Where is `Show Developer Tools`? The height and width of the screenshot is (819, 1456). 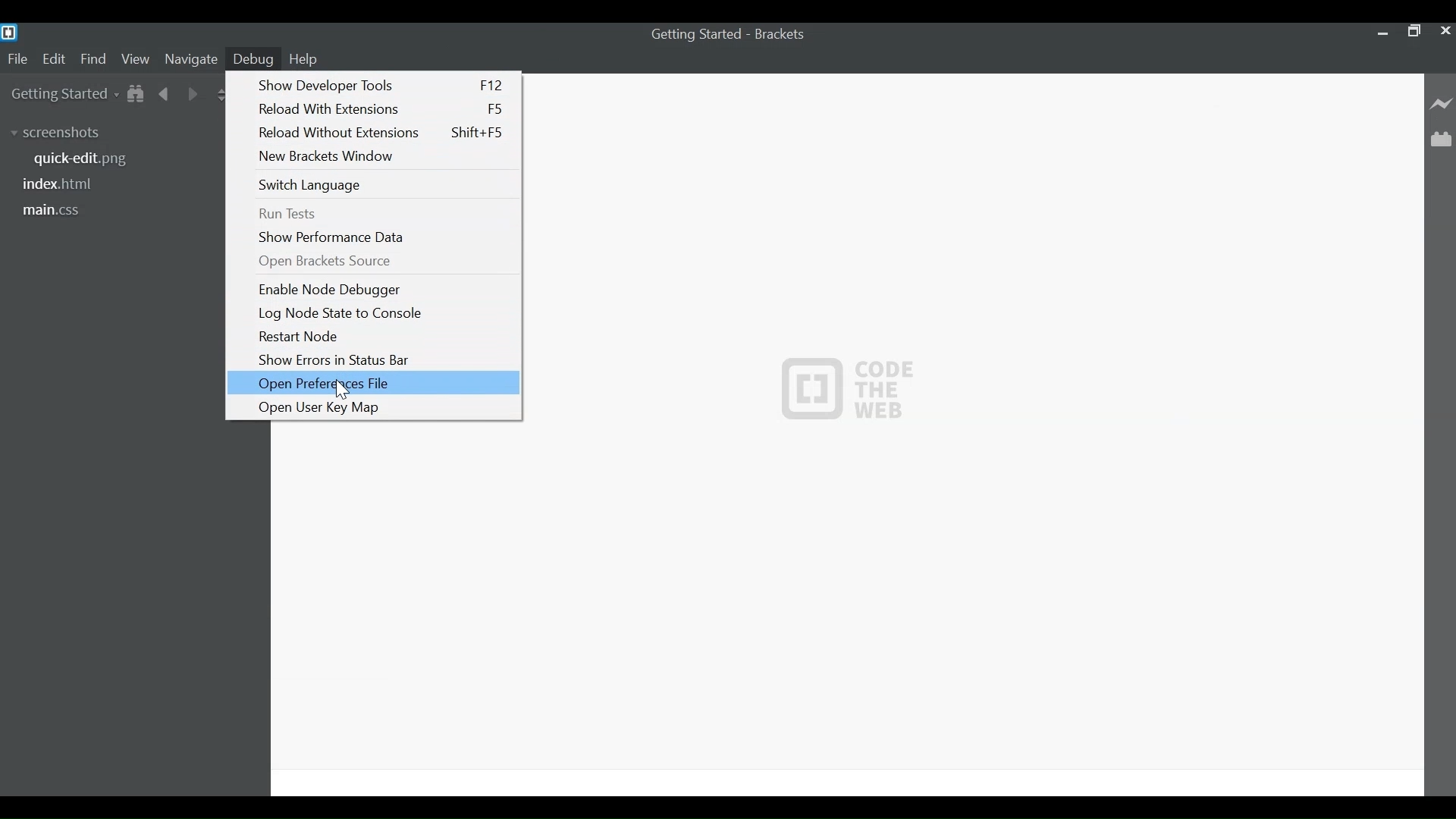 Show Developer Tools is located at coordinates (380, 84).